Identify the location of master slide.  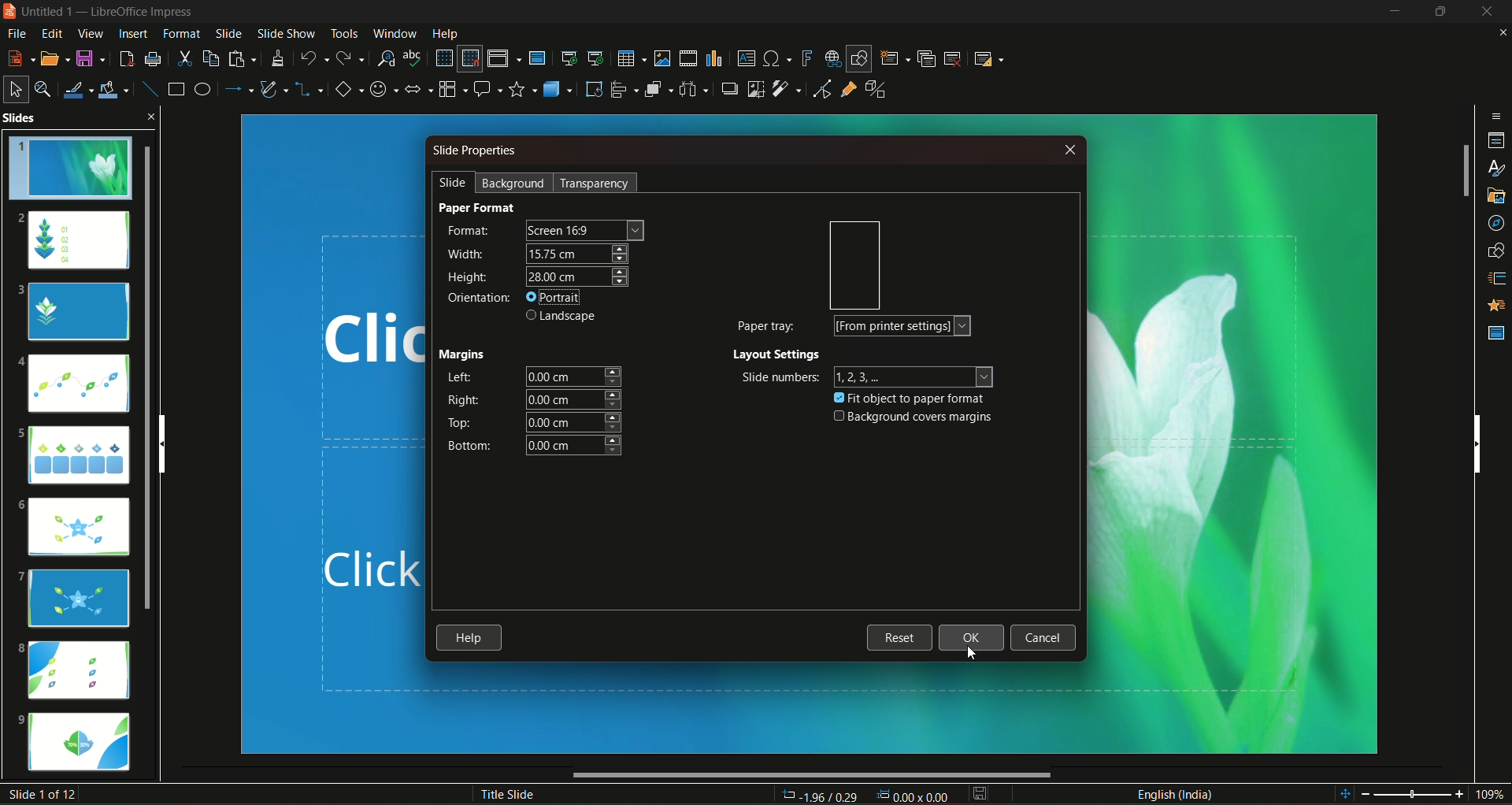
(539, 57).